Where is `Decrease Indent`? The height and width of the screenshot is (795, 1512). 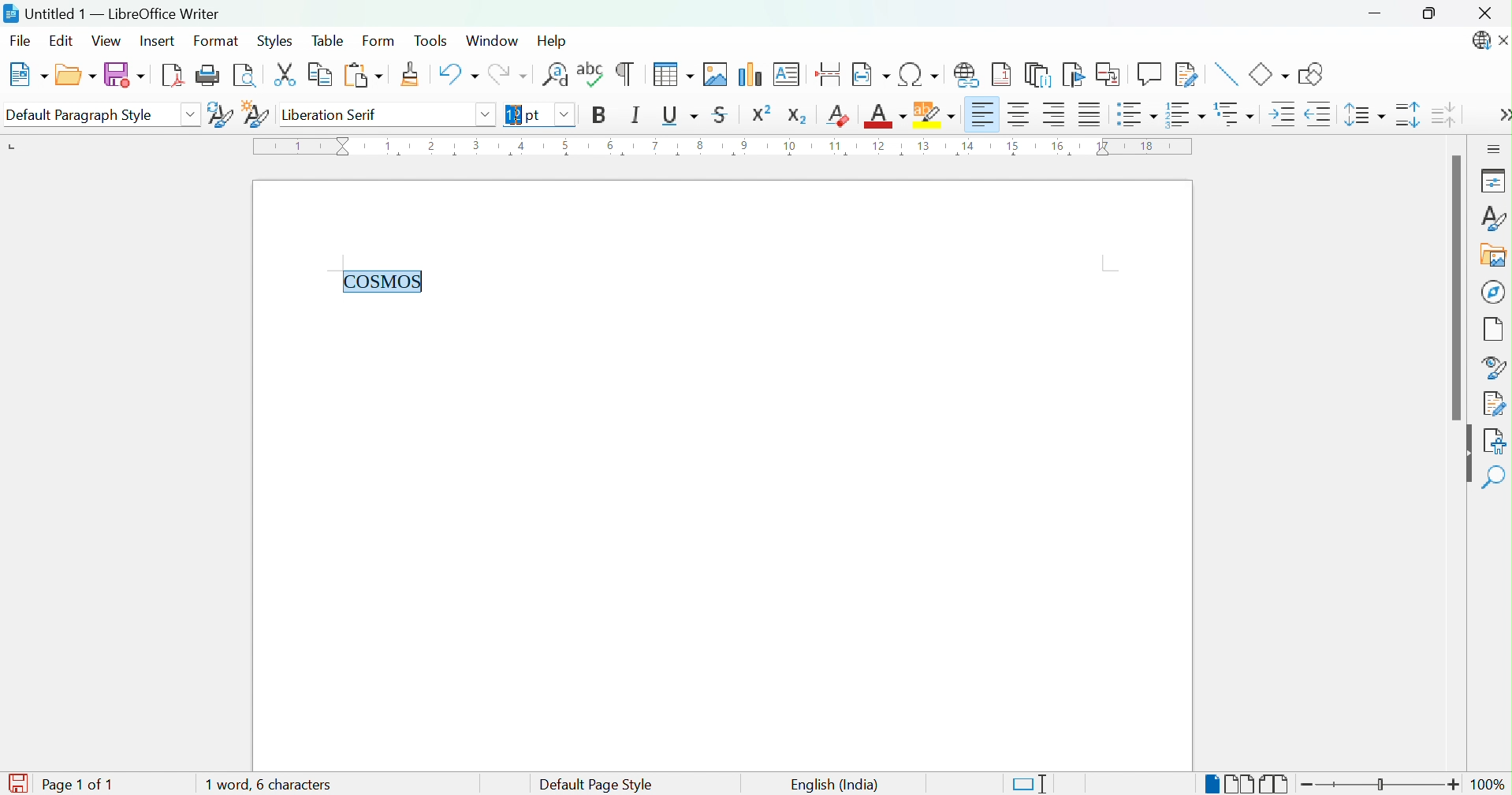
Decrease Indent is located at coordinates (1318, 116).